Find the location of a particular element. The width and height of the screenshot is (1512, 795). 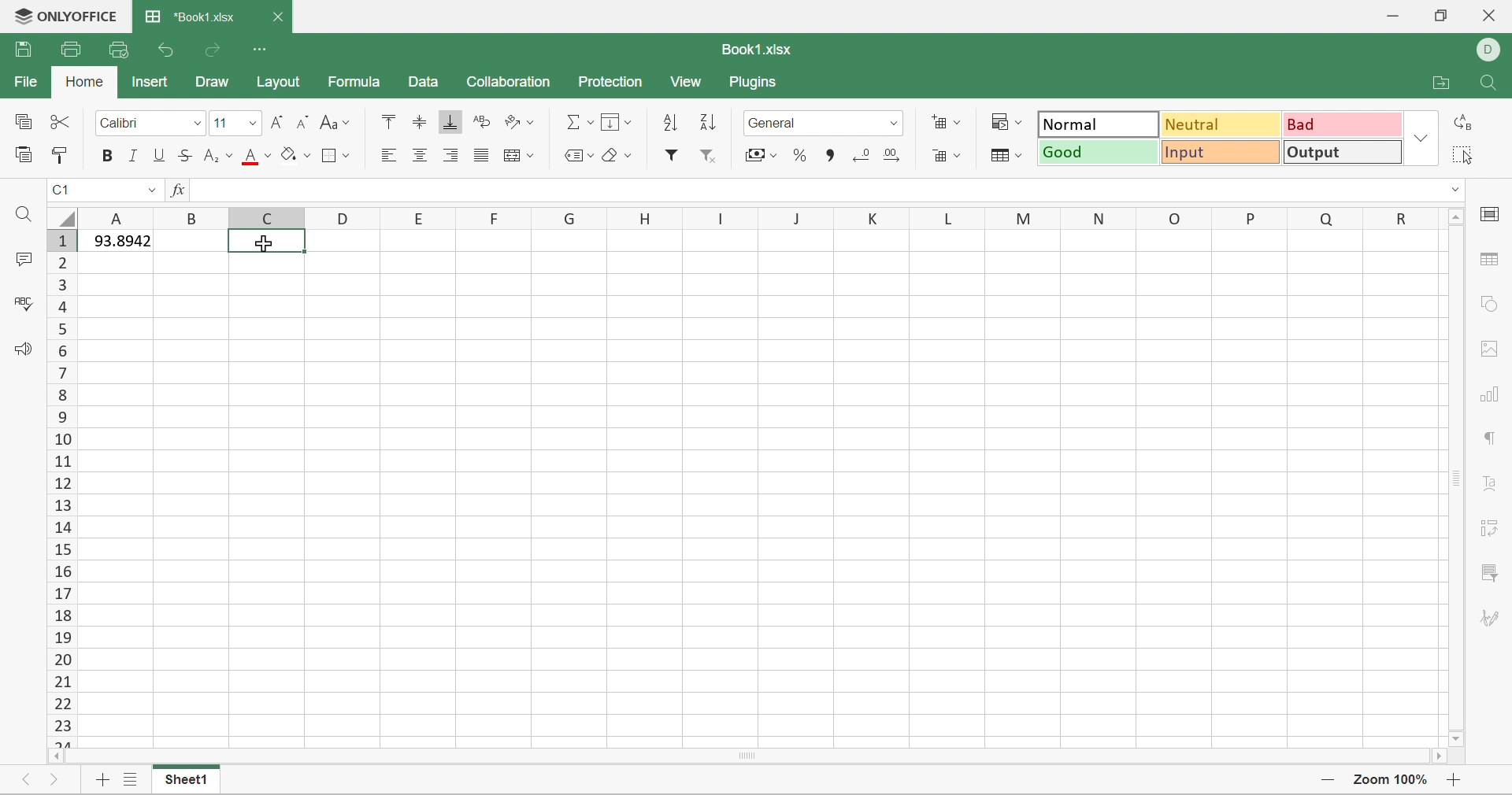

Borders is located at coordinates (335, 153).